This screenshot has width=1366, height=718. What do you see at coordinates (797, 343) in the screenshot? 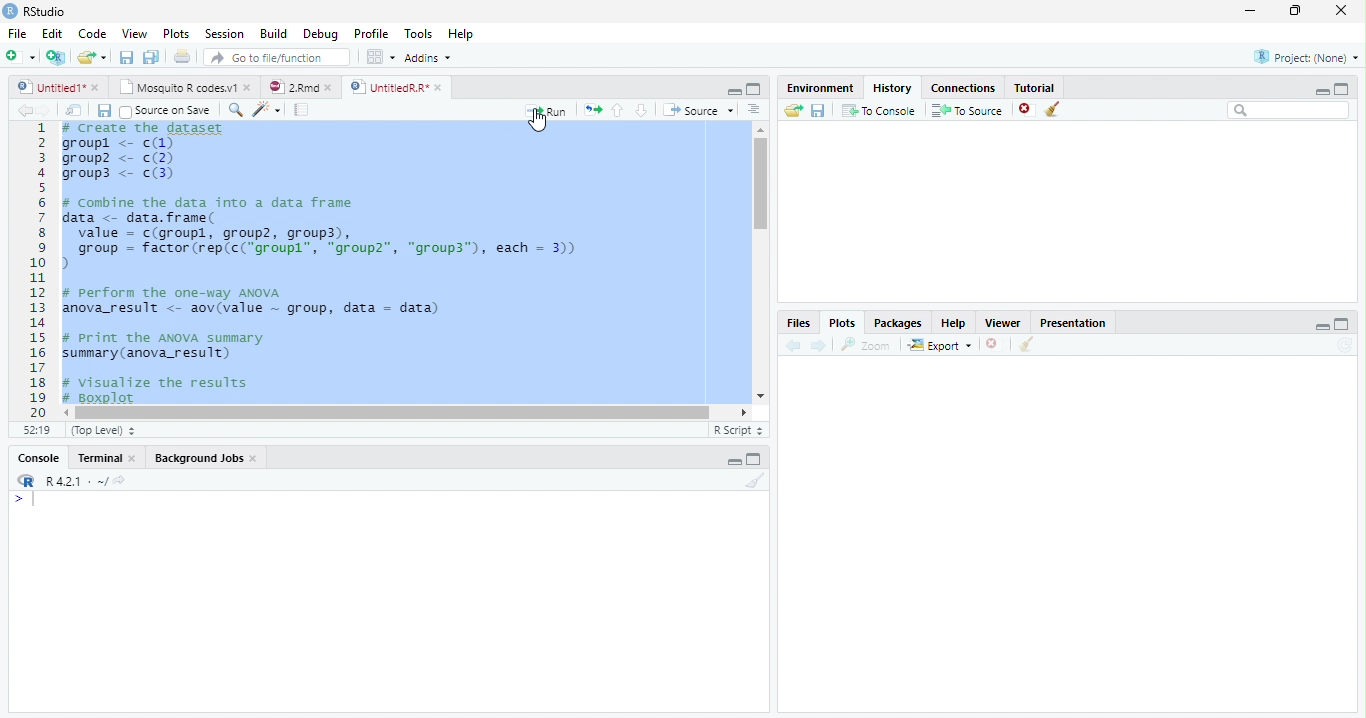
I see `back` at bounding box center [797, 343].